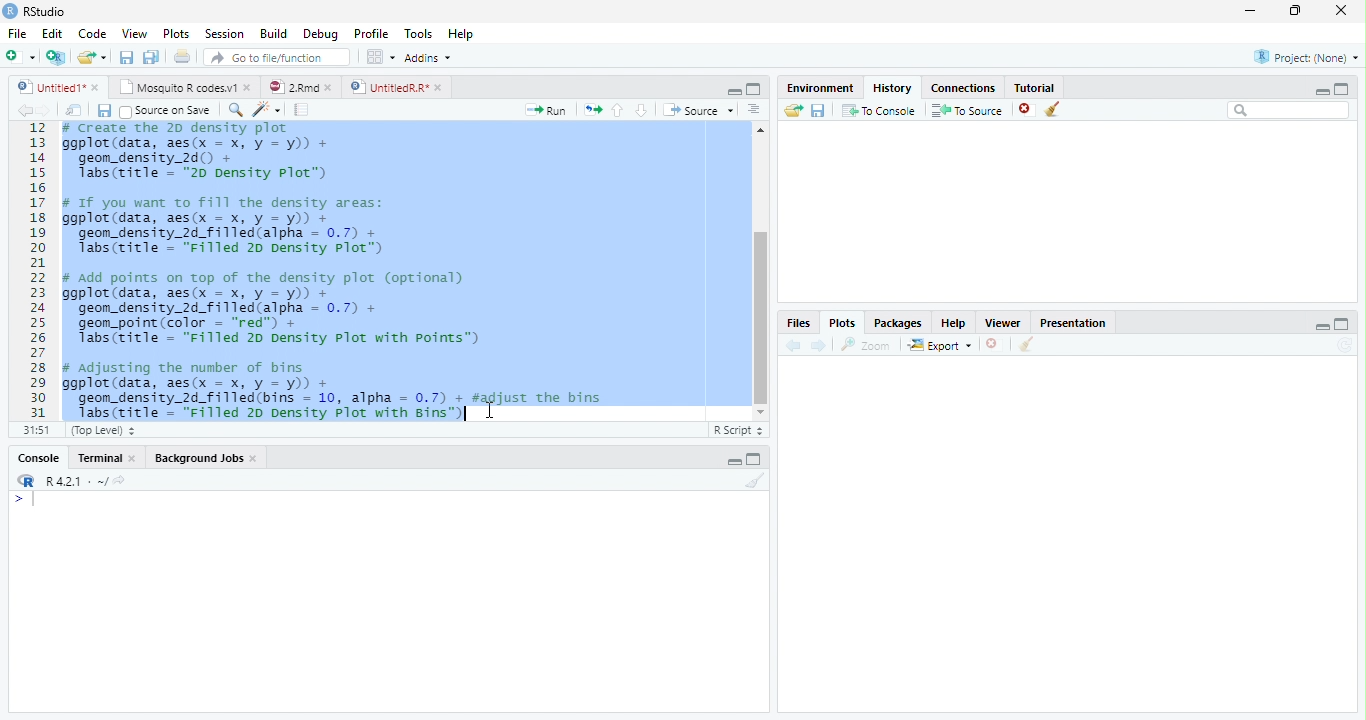 This screenshot has height=720, width=1366. I want to click on Document outline, so click(754, 111).